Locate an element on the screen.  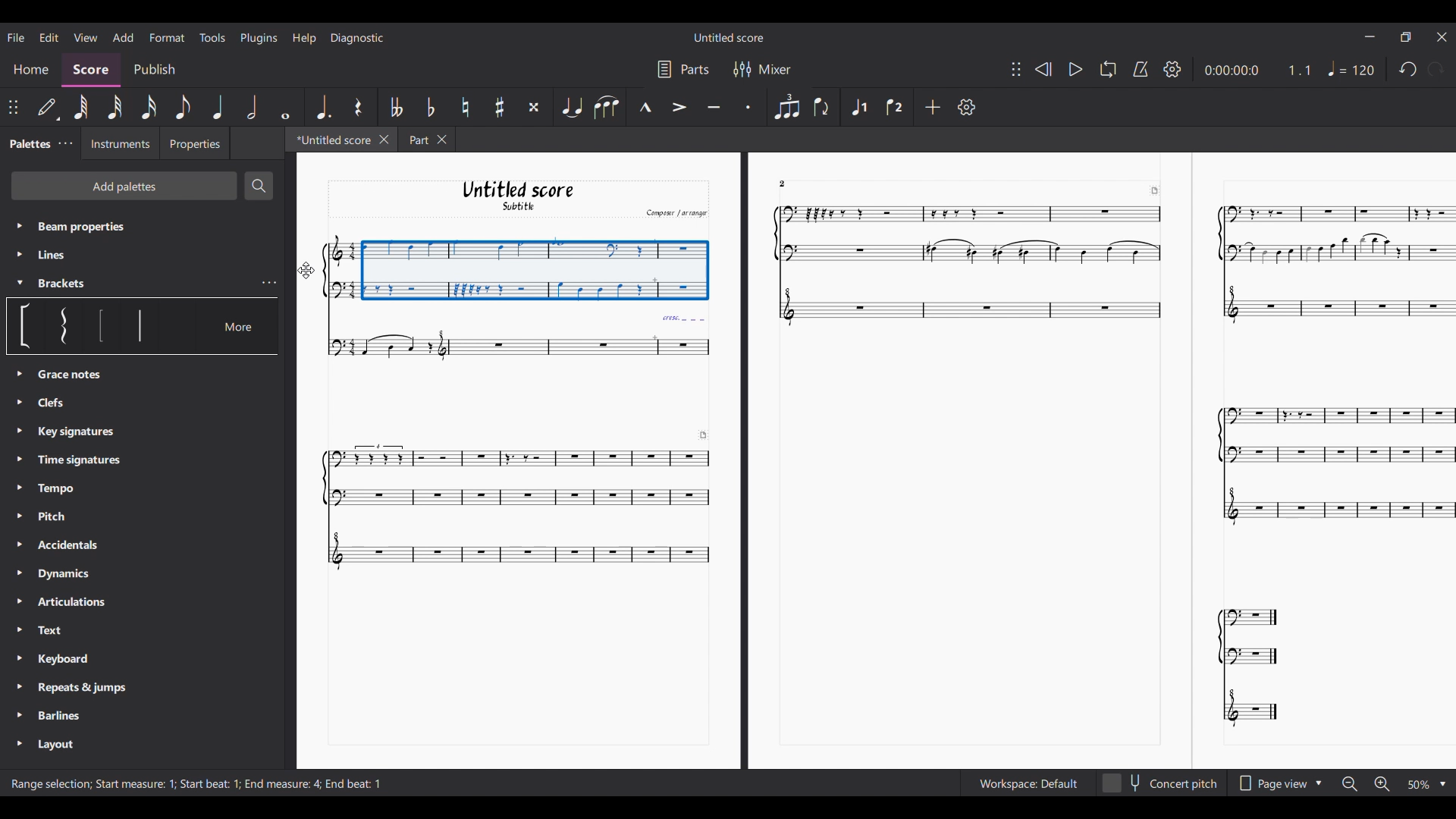
End measure: 4; is located at coordinates (282, 783).